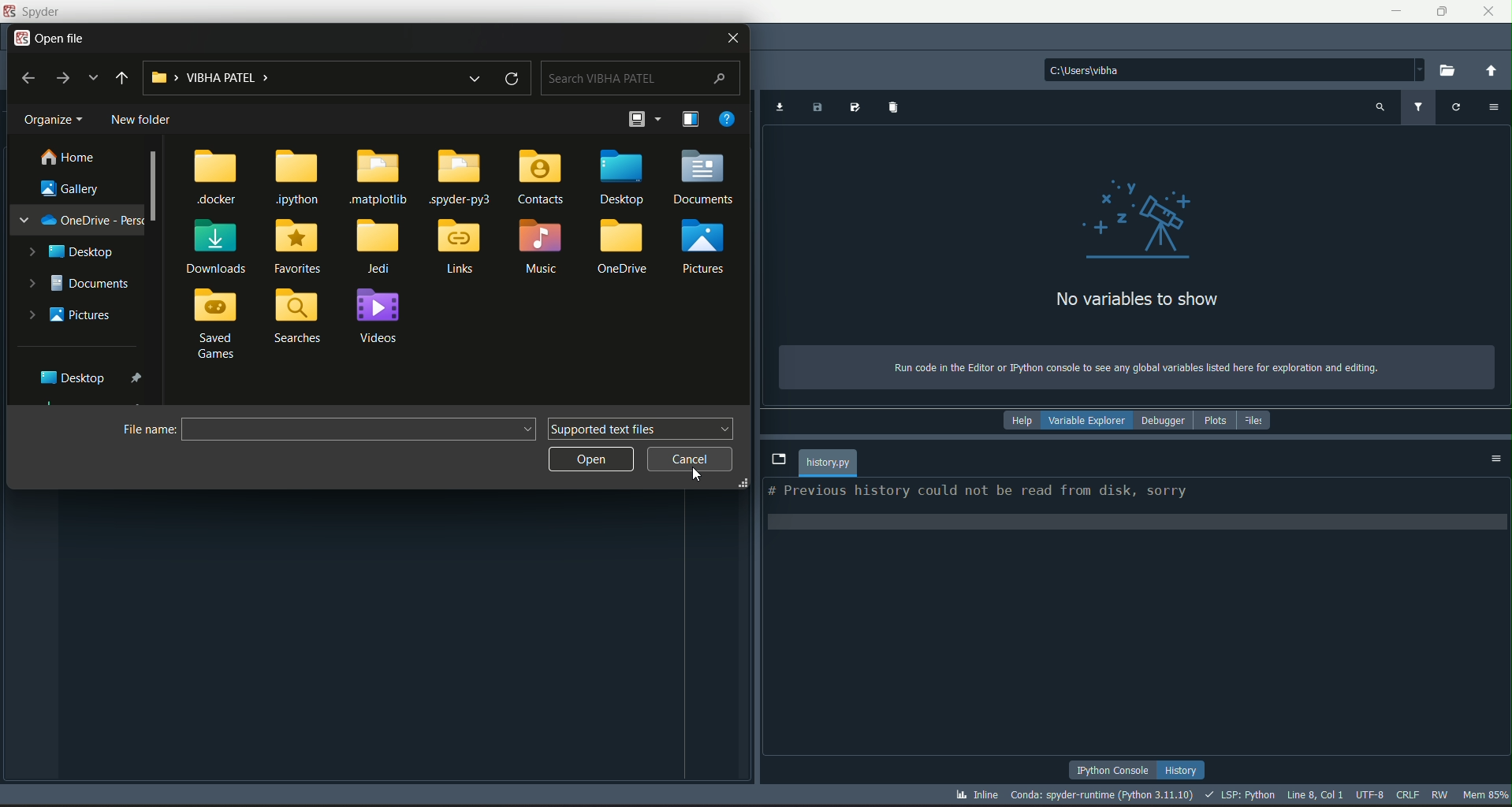  I want to click on remove variables, so click(895, 109).